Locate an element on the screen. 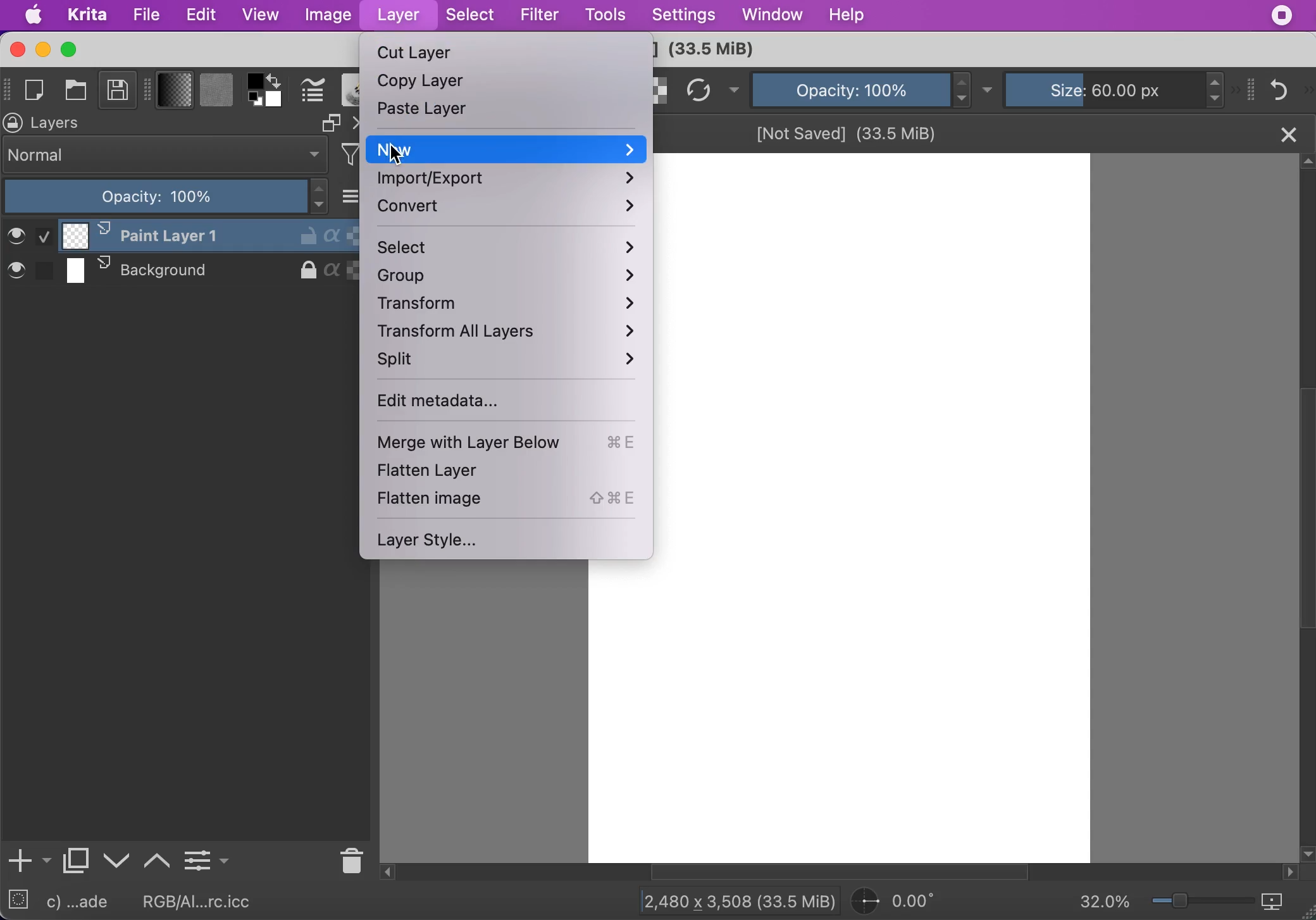 The width and height of the screenshot is (1316, 920). [not saved] (33.5 MiB) is located at coordinates (848, 132).